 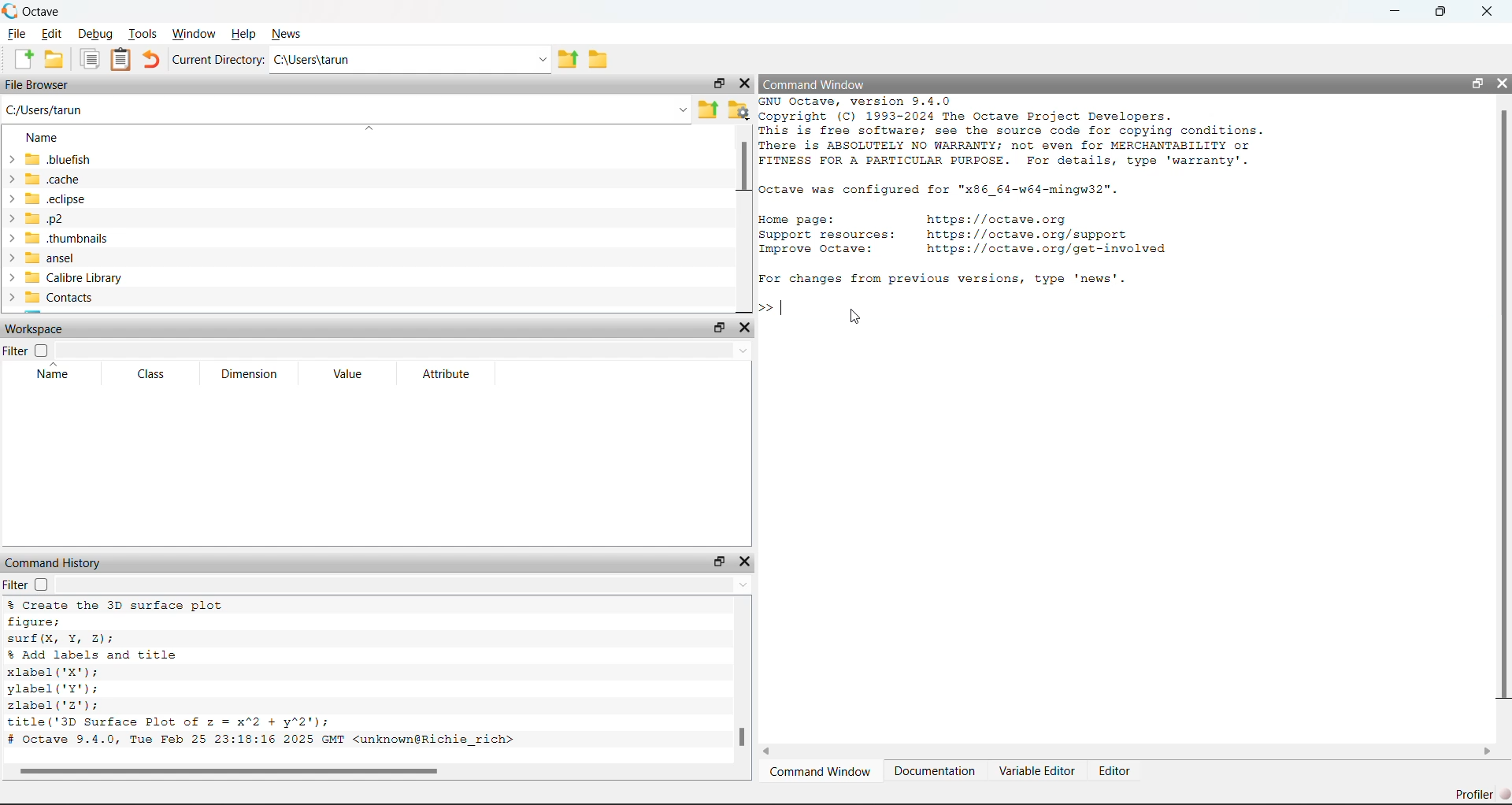 What do you see at coordinates (38, 84) in the screenshot?
I see `File Browser` at bounding box center [38, 84].